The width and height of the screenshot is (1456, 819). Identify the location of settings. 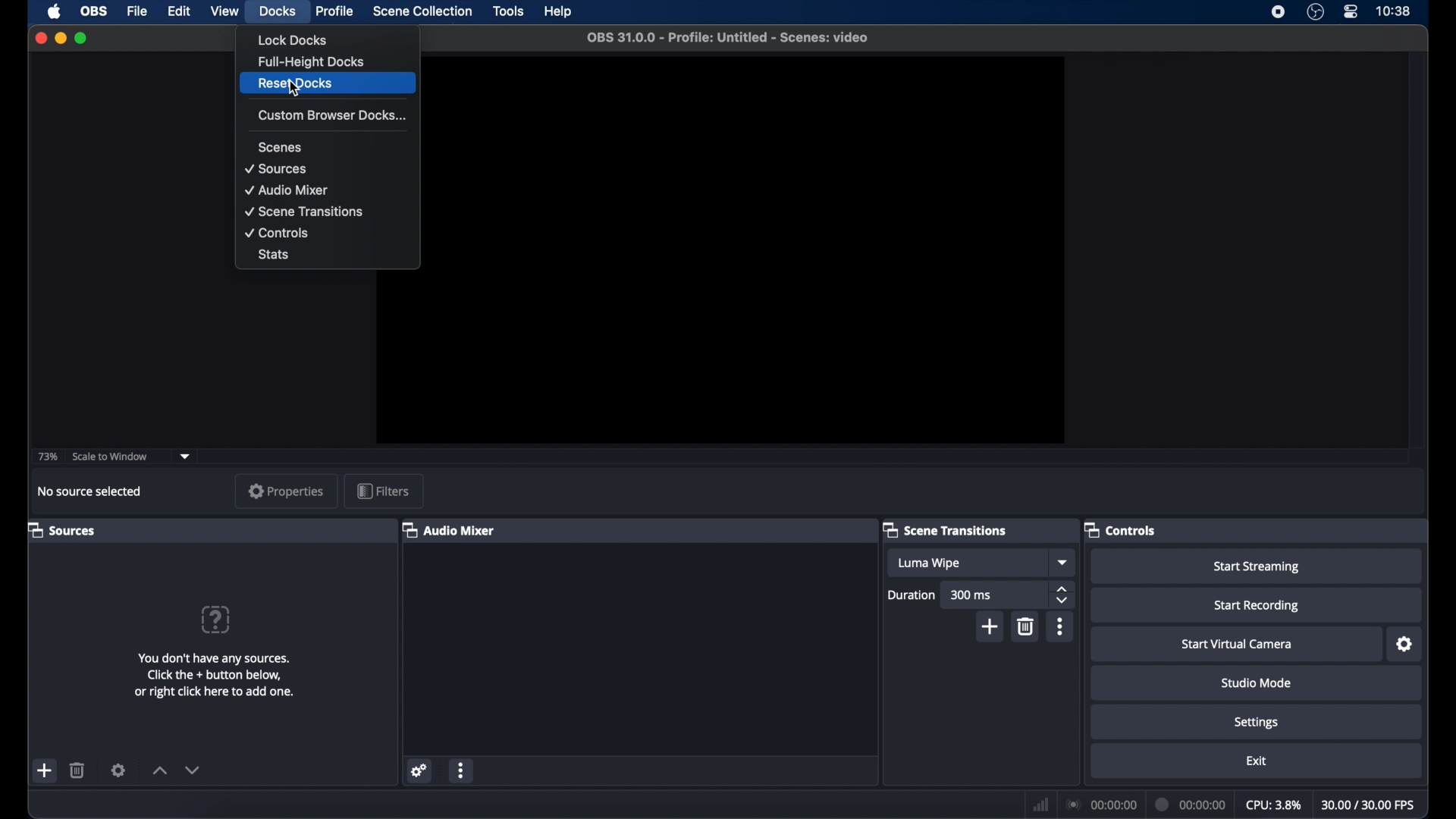
(119, 770).